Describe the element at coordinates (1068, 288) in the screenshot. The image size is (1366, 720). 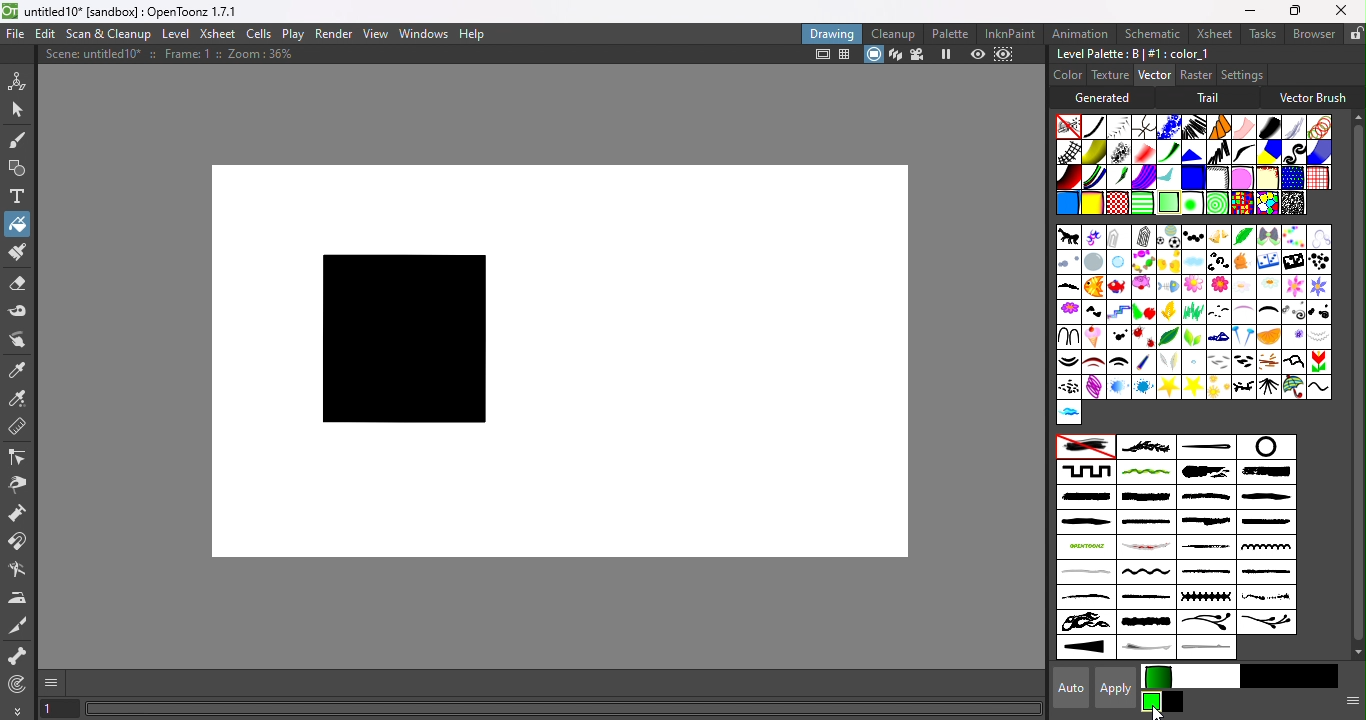
I see `feat` at that location.